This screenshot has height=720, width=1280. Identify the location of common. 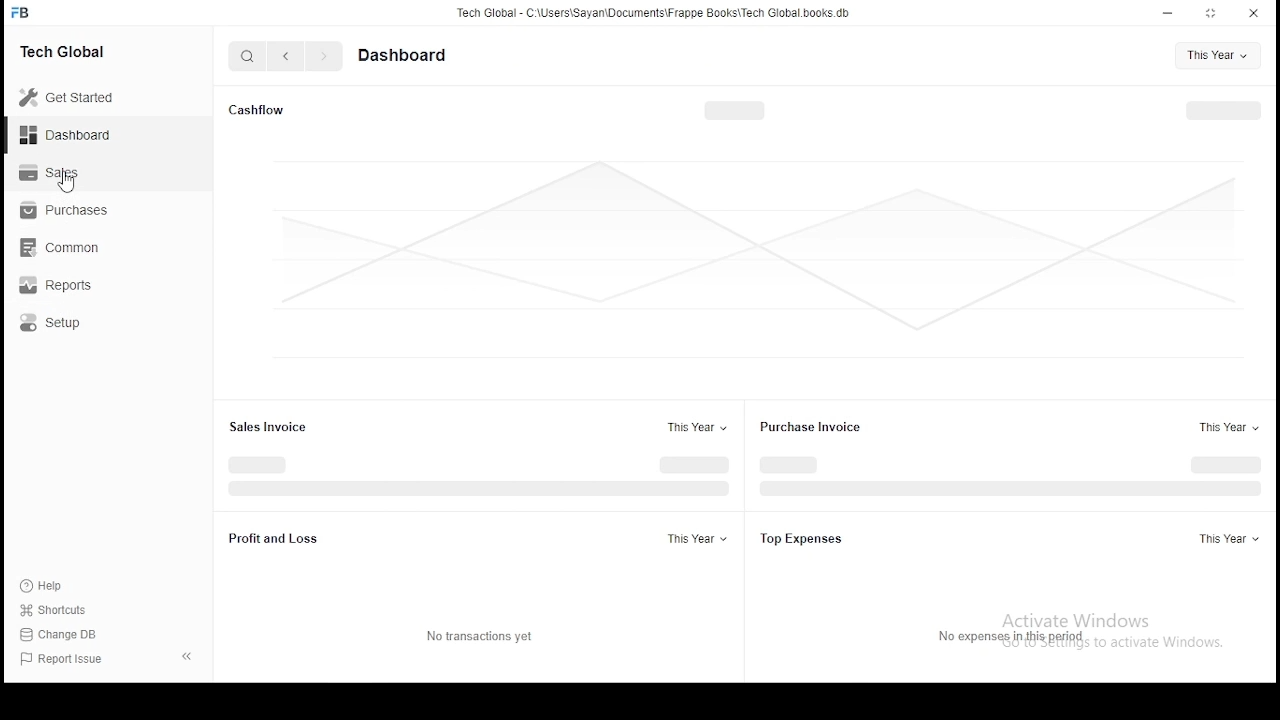
(64, 248).